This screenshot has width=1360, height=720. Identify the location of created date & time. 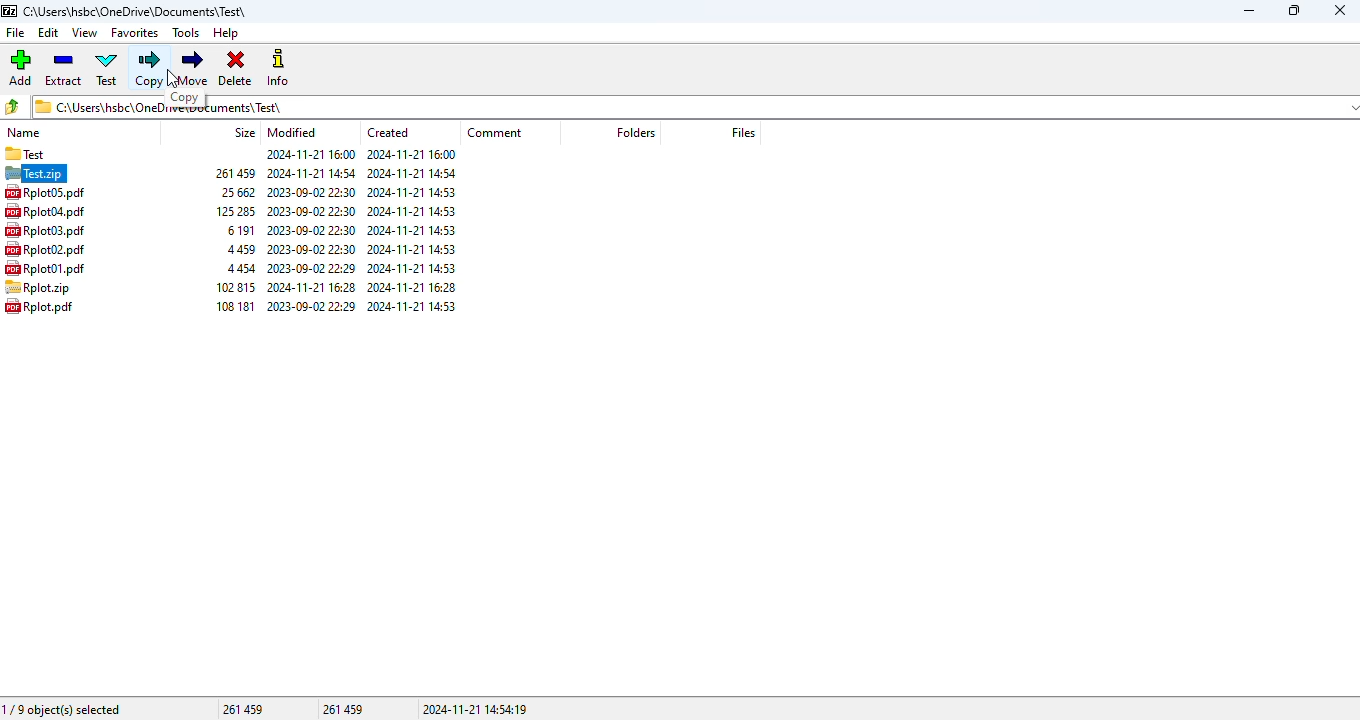
(412, 268).